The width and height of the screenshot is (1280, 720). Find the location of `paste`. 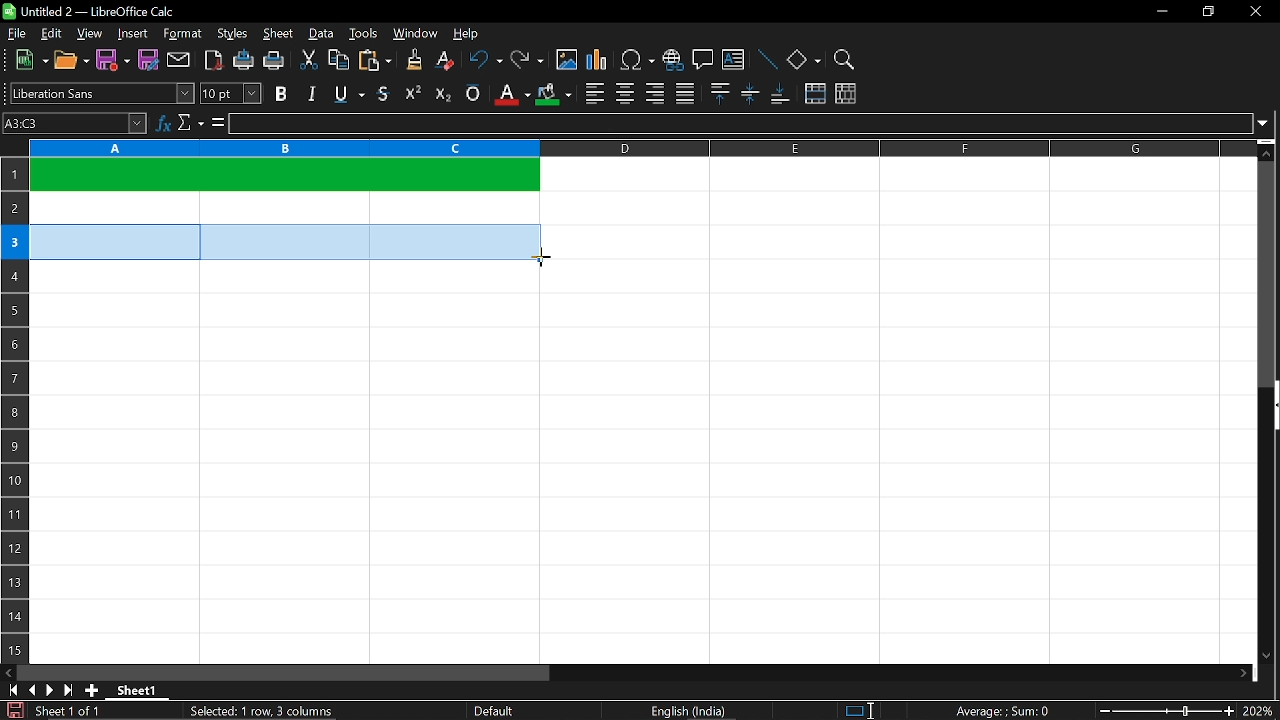

paste is located at coordinates (374, 61).